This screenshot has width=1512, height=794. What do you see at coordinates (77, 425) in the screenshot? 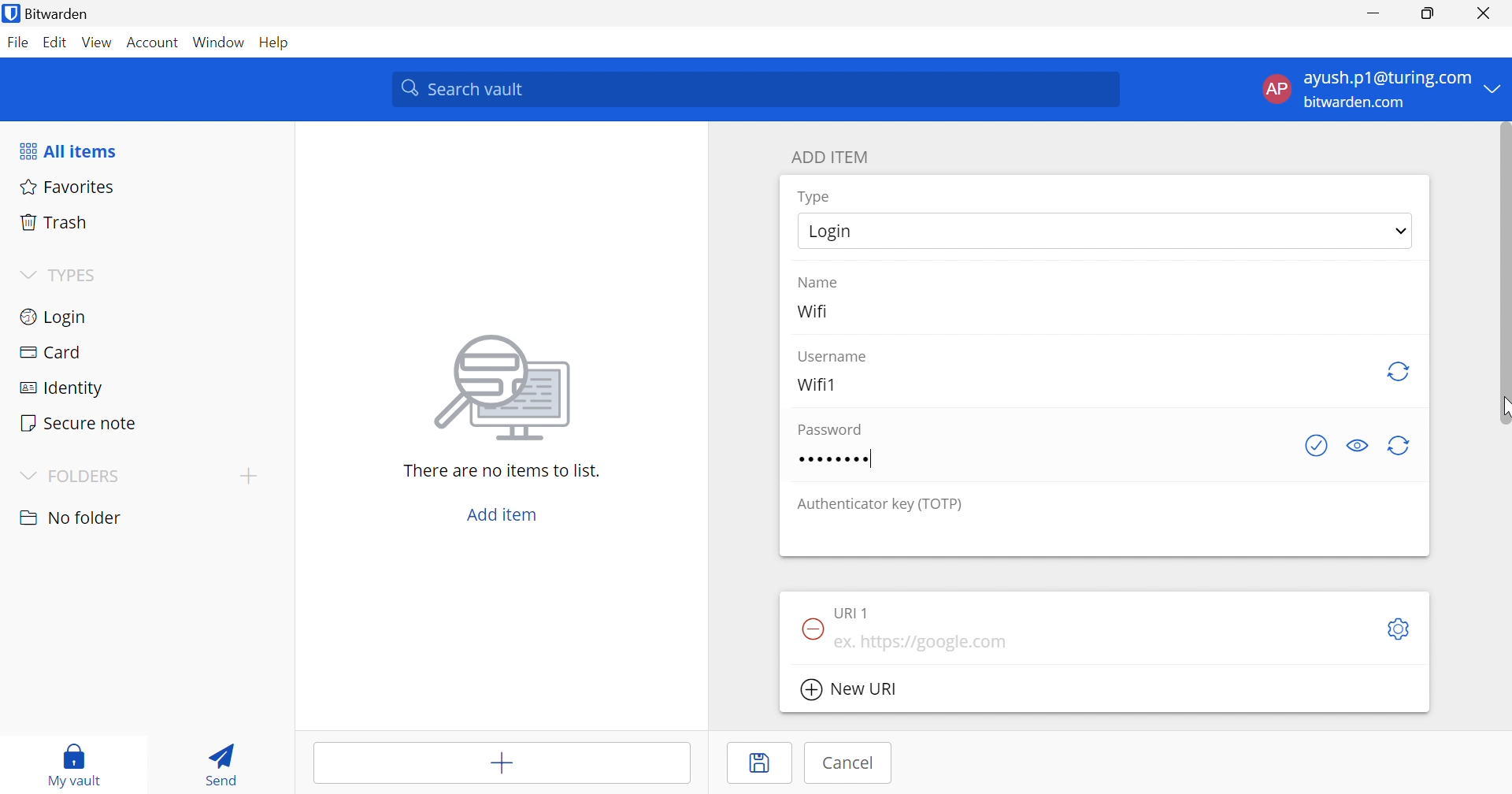
I see `Secure note` at bounding box center [77, 425].